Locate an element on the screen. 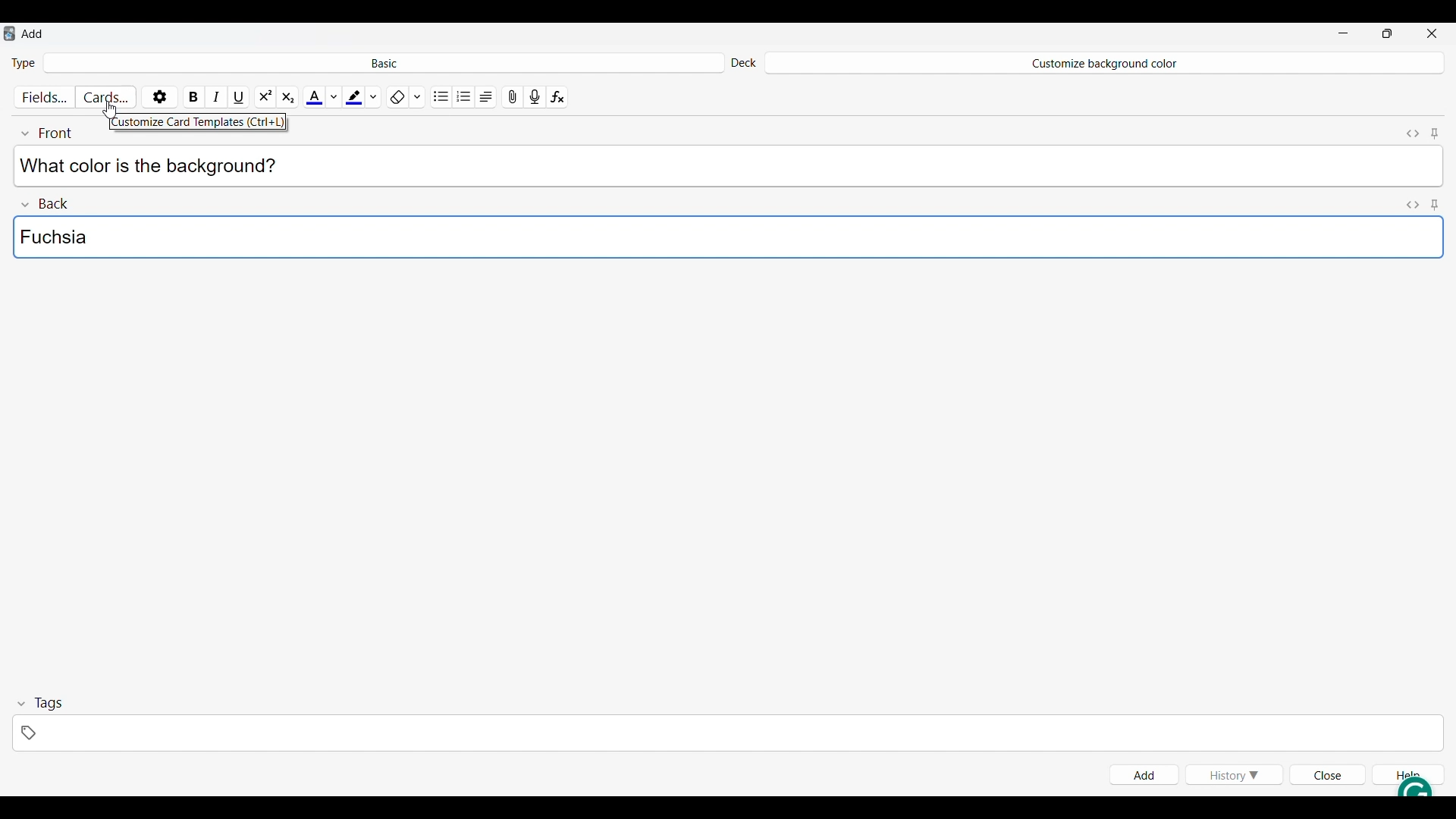  Text color options is located at coordinates (333, 95).